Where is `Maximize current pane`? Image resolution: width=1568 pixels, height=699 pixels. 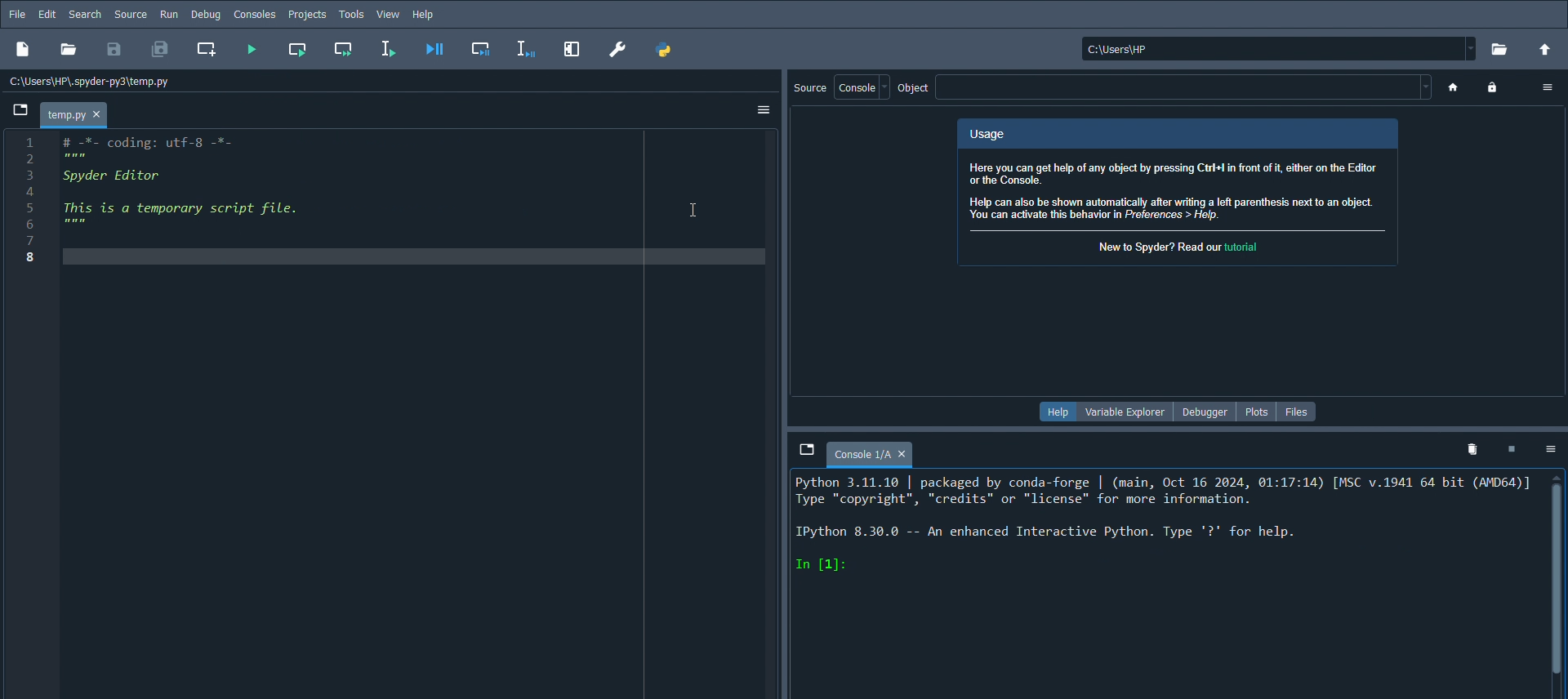
Maximize current pane is located at coordinates (572, 49).